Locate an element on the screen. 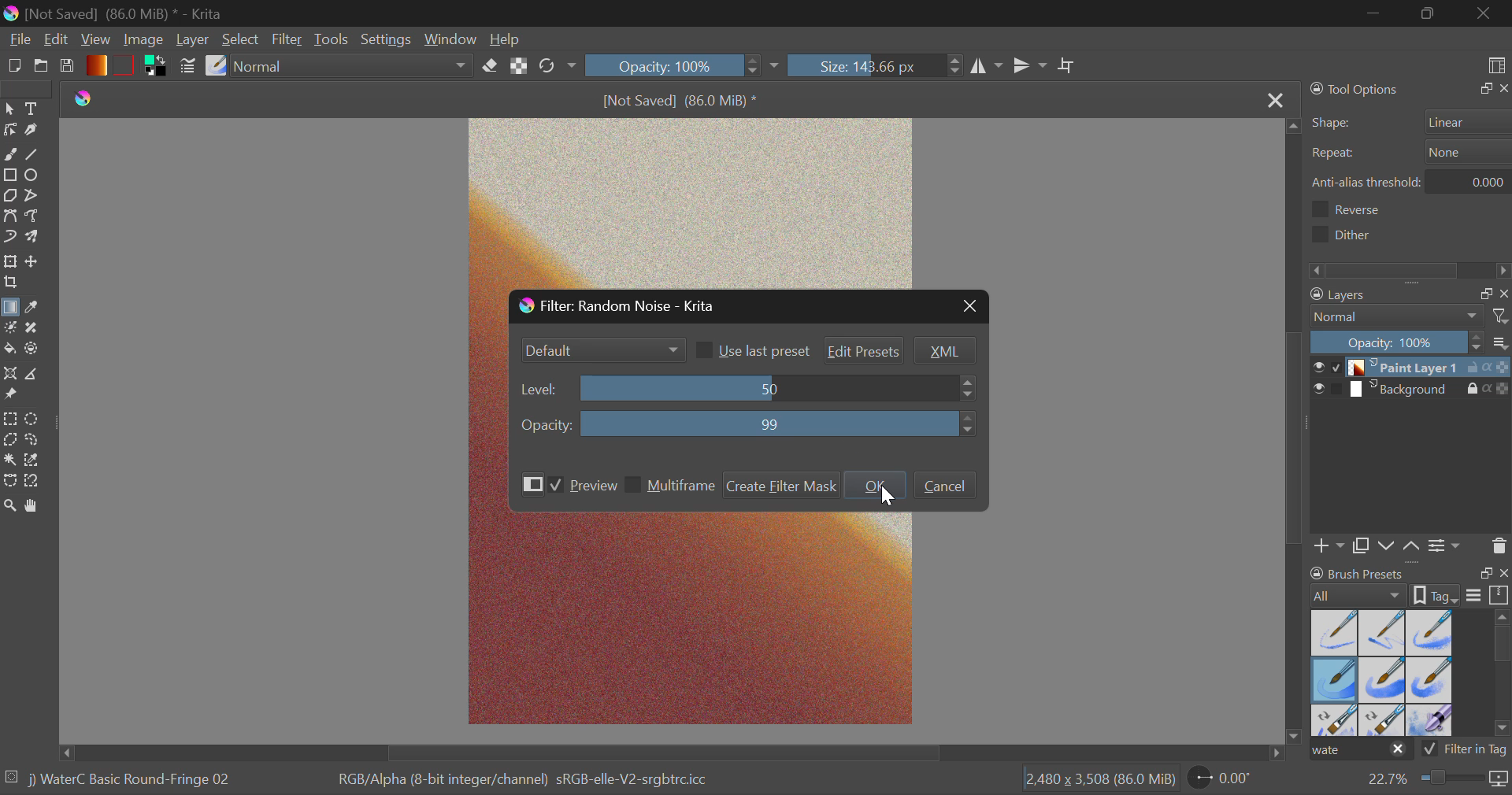  Cursor on OK is located at coordinates (875, 486).